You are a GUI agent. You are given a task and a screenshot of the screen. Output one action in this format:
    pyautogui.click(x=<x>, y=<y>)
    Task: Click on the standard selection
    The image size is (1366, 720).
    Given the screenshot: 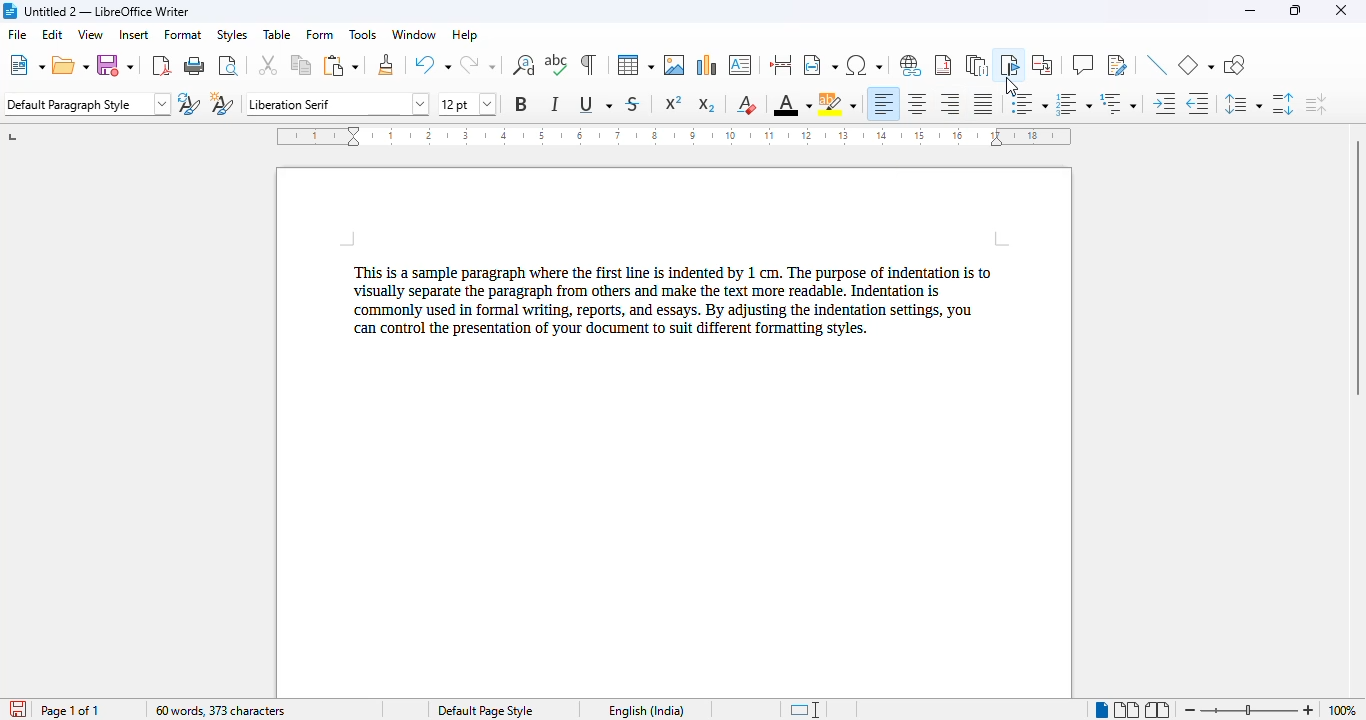 What is the action you would take?
    pyautogui.click(x=808, y=709)
    